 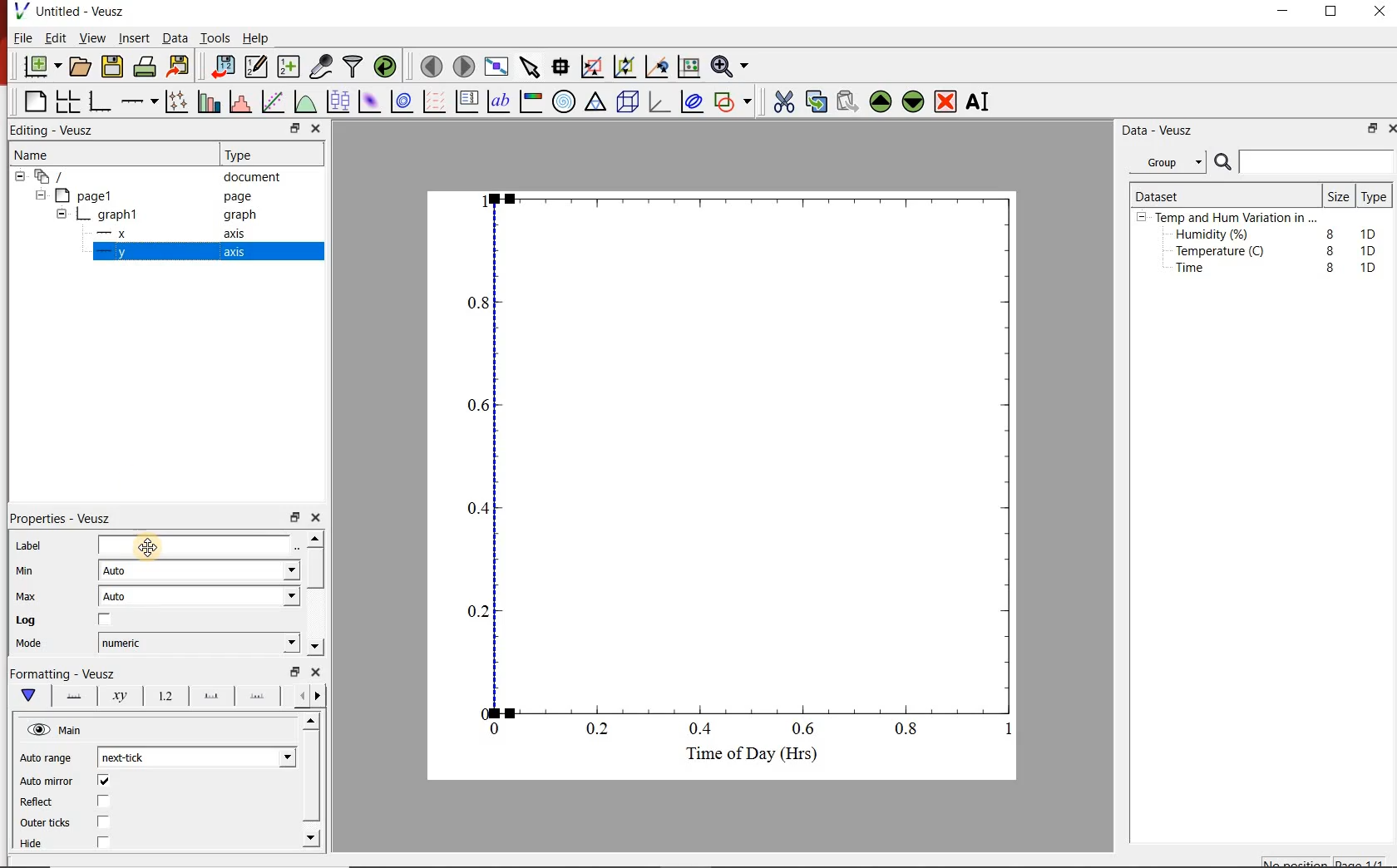 What do you see at coordinates (338, 102) in the screenshot?
I see `plot box plots` at bounding box center [338, 102].